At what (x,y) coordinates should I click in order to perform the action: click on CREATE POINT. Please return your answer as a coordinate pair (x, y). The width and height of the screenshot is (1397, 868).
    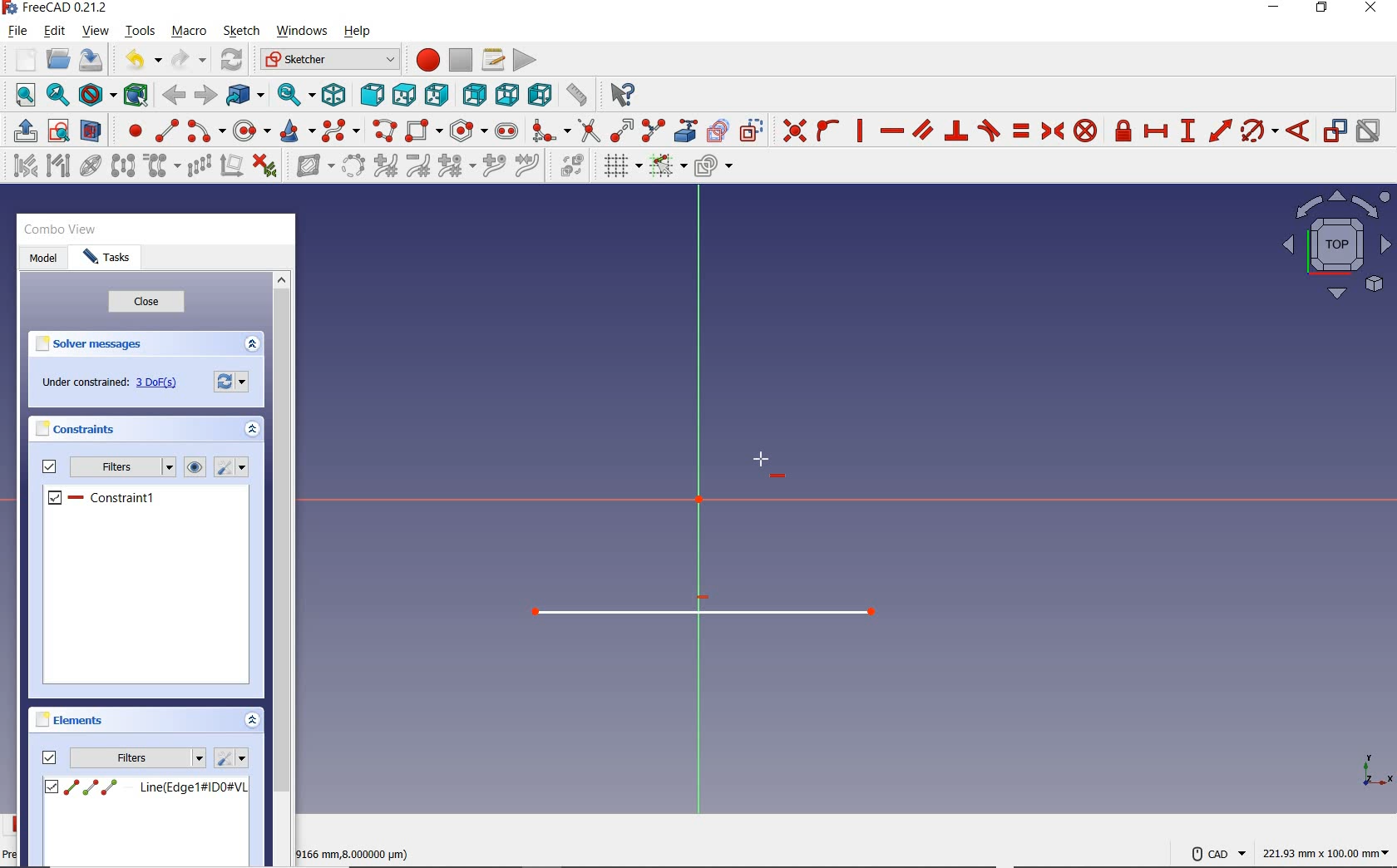
    Looking at the image, I should click on (128, 131).